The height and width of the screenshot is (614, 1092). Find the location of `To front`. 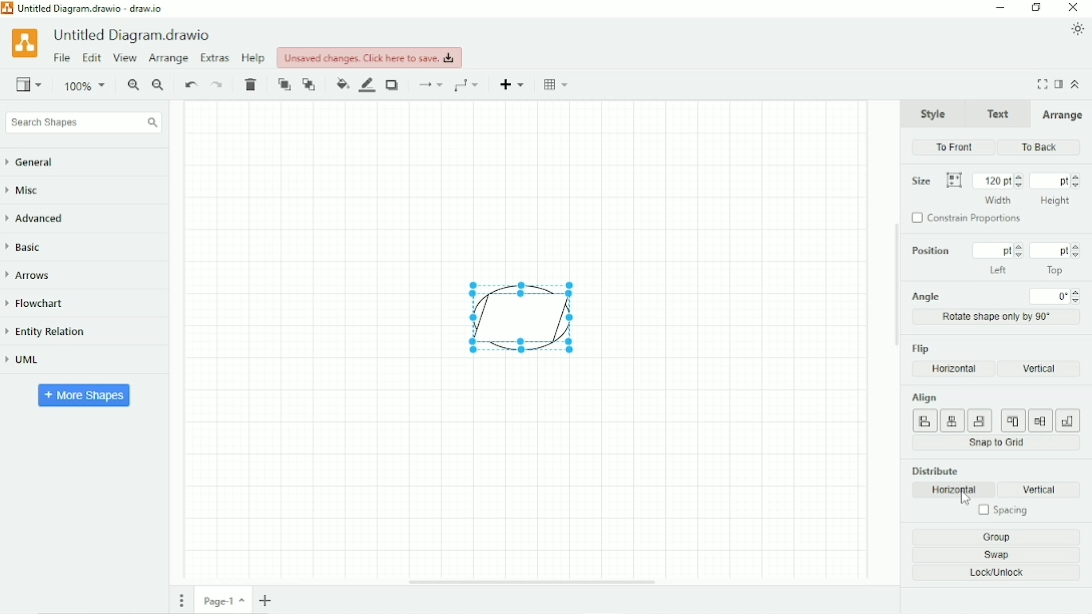

To front is located at coordinates (955, 147).